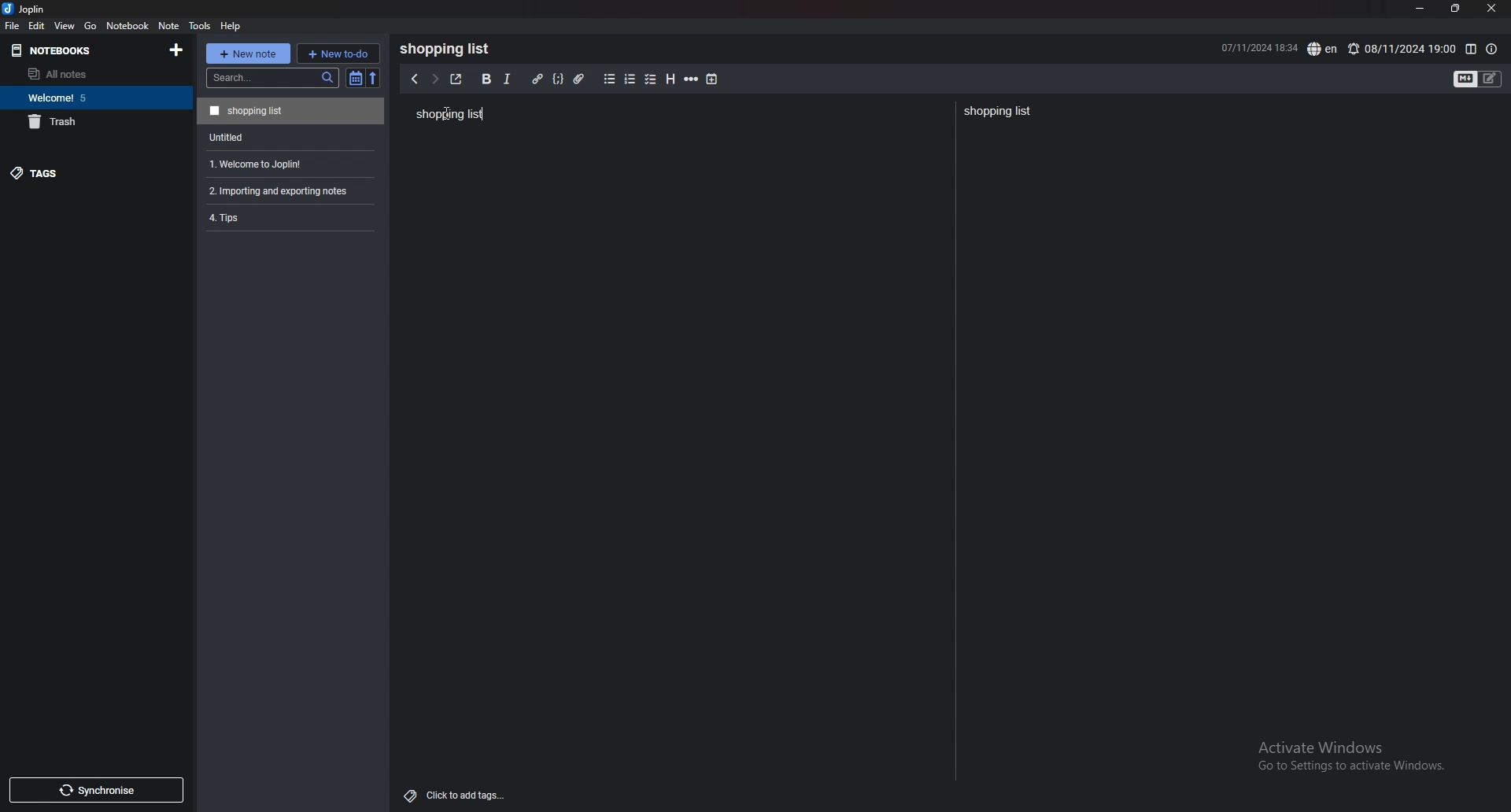  What do you see at coordinates (93, 121) in the screenshot?
I see `trash` at bounding box center [93, 121].